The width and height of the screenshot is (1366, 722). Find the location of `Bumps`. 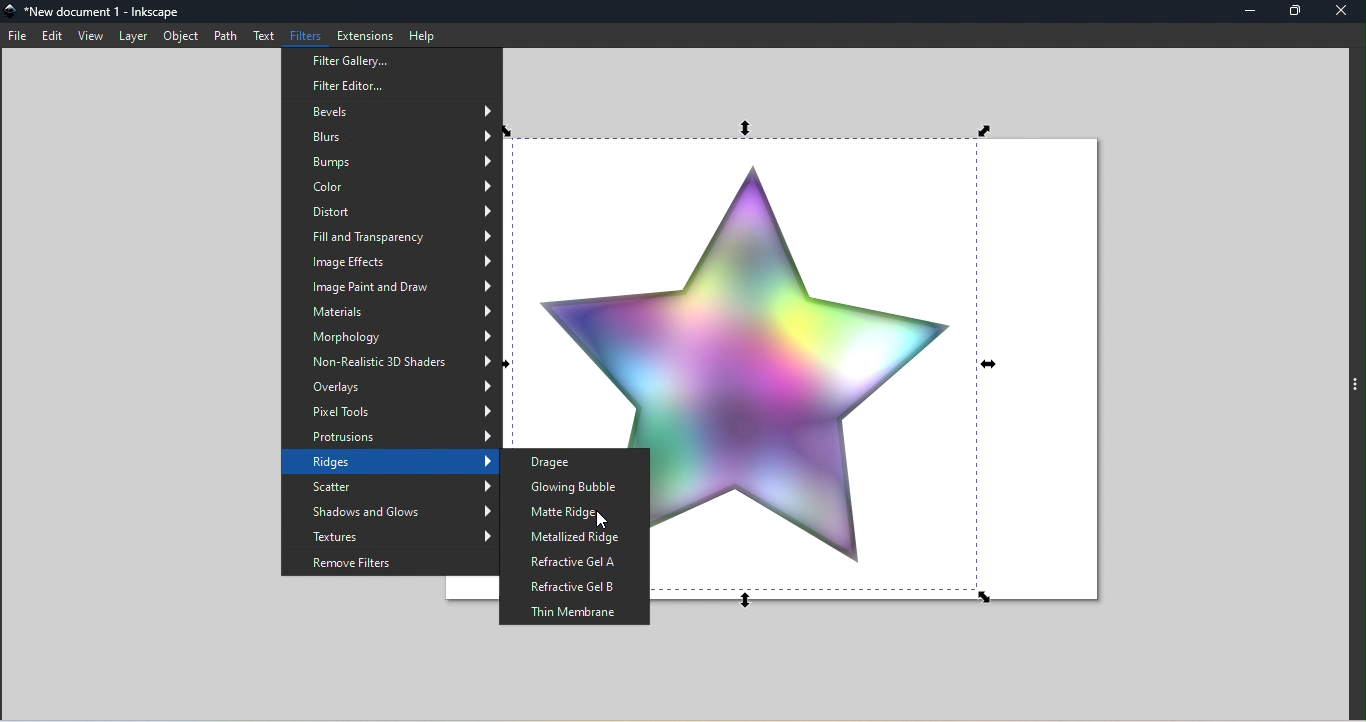

Bumps is located at coordinates (391, 162).